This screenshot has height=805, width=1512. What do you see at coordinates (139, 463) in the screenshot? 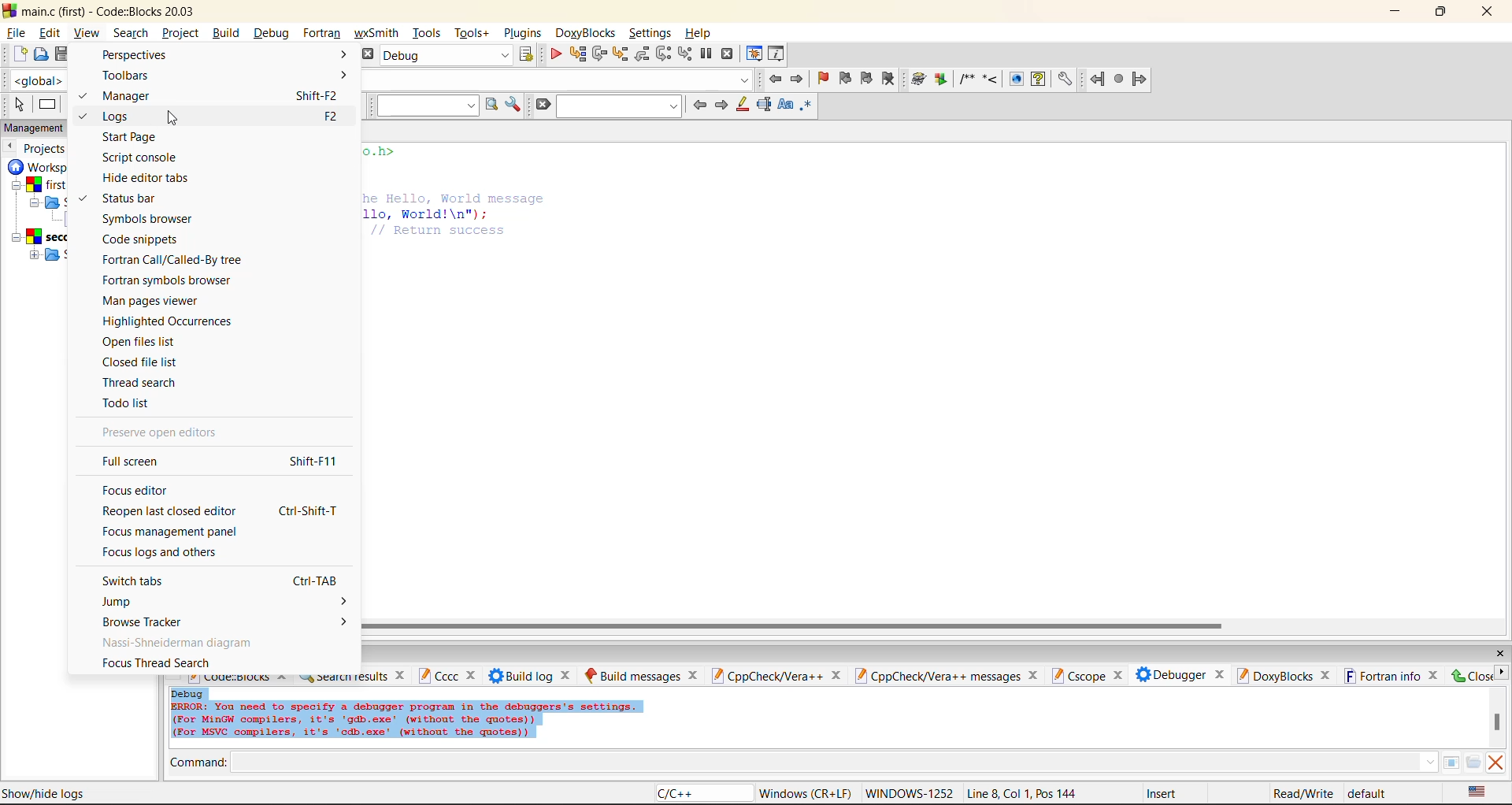
I see `full screen` at bounding box center [139, 463].